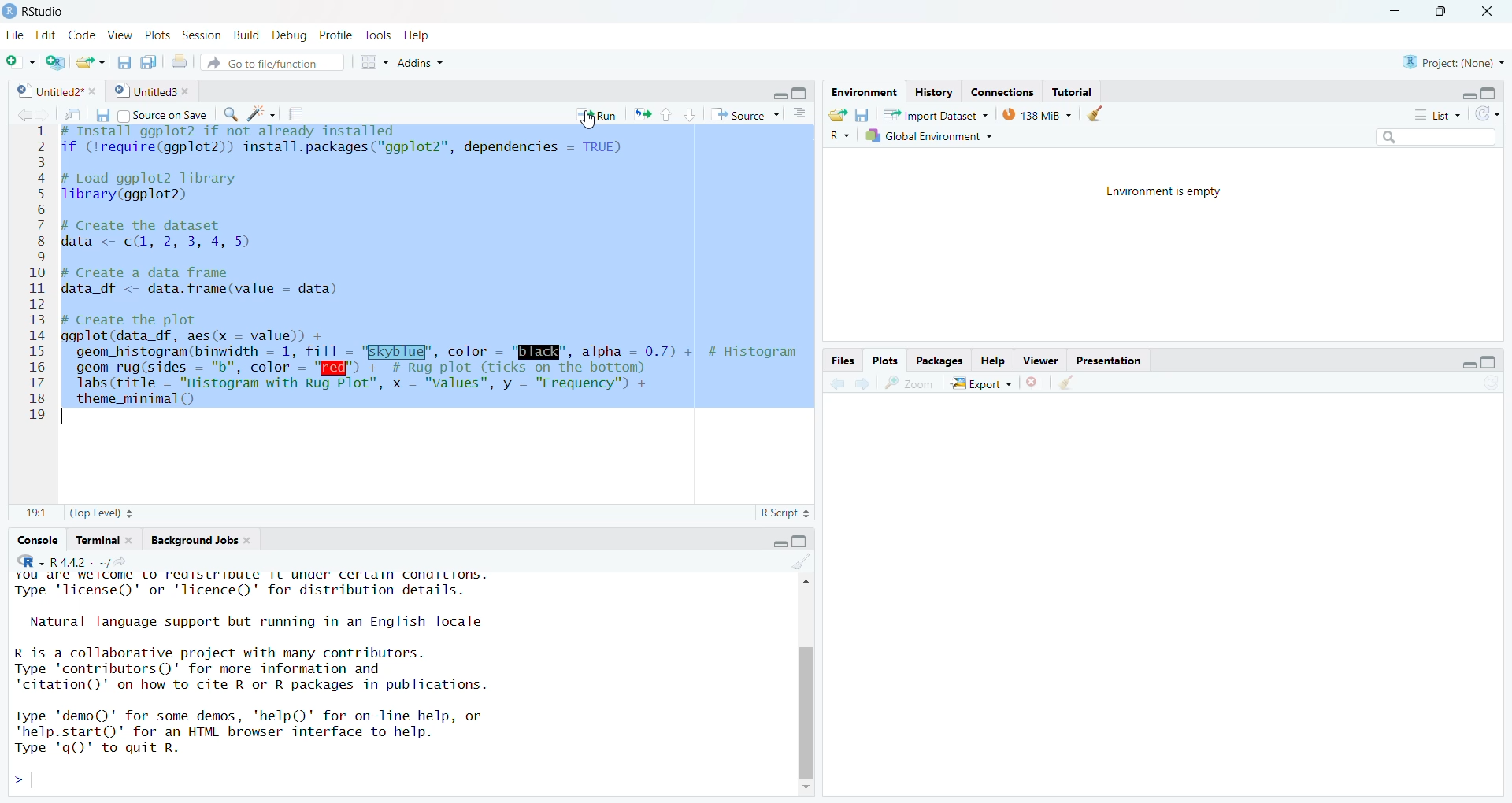 The height and width of the screenshot is (803, 1512). What do you see at coordinates (1448, 14) in the screenshot?
I see `maximize` at bounding box center [1448, 14].